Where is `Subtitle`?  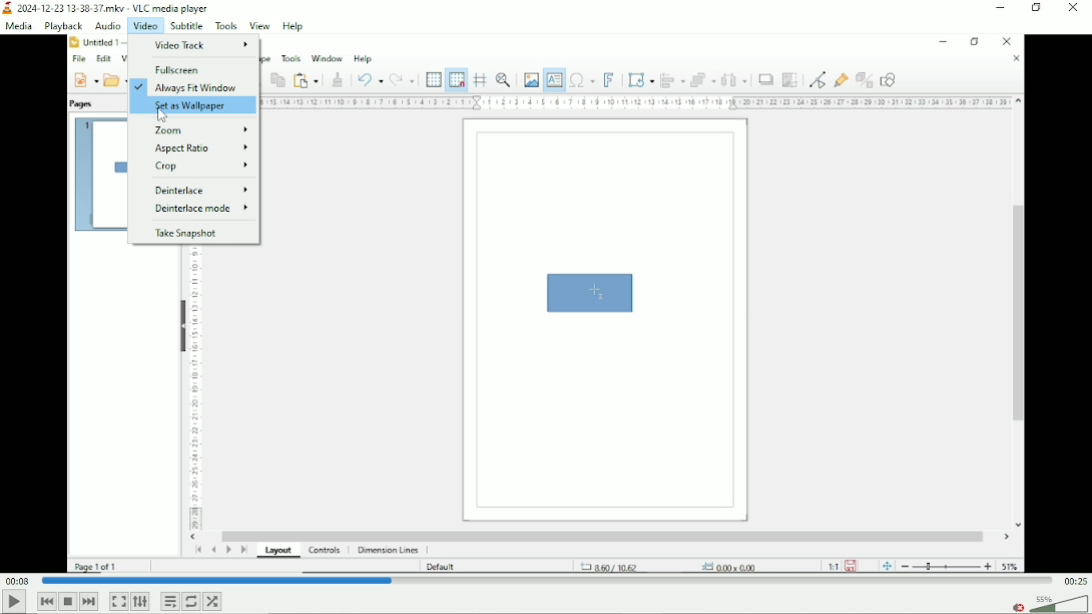 Subtitle is located at coordinates (186, 25).